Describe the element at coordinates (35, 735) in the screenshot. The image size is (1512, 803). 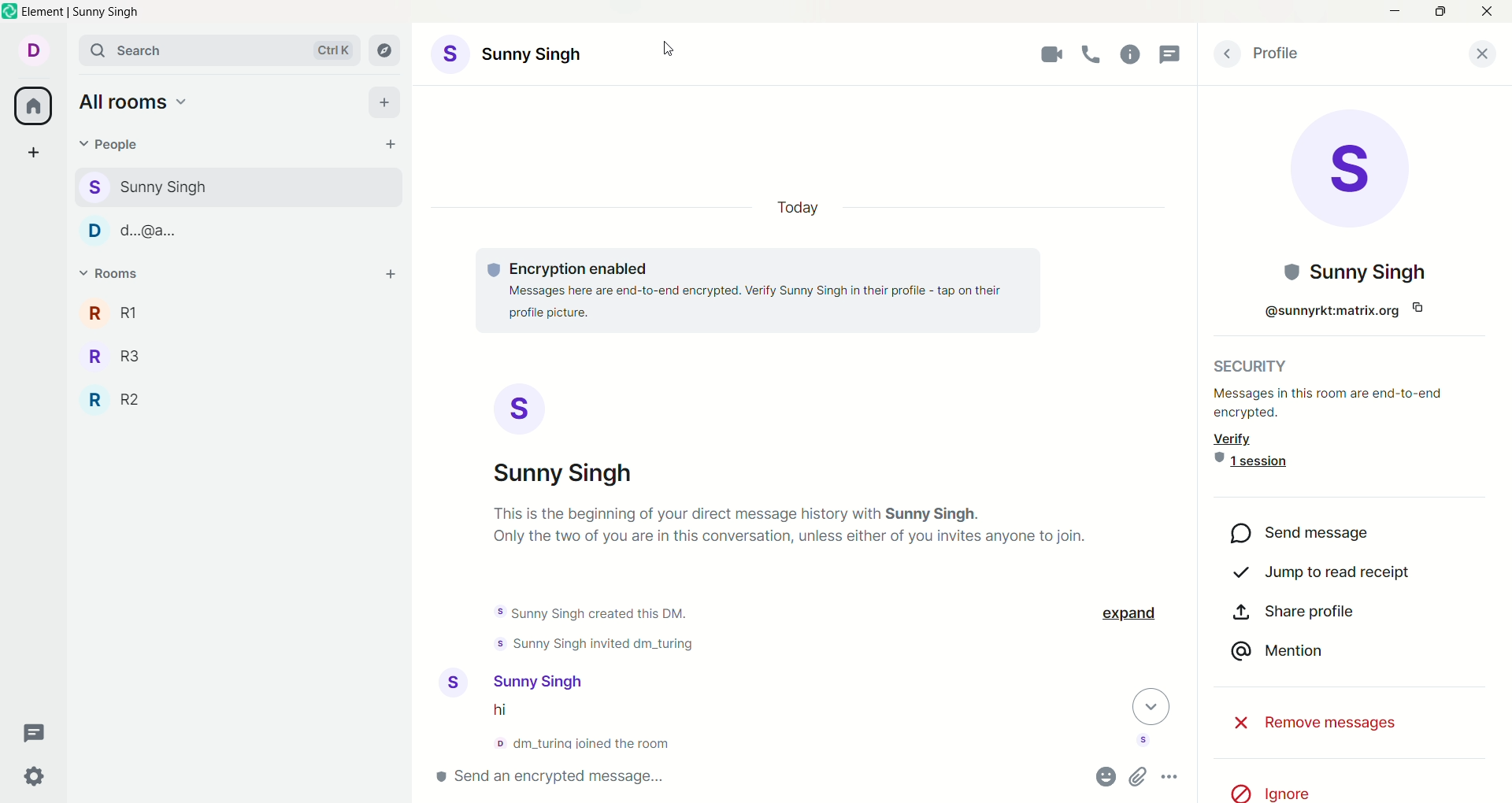
I see `threads` at that location.